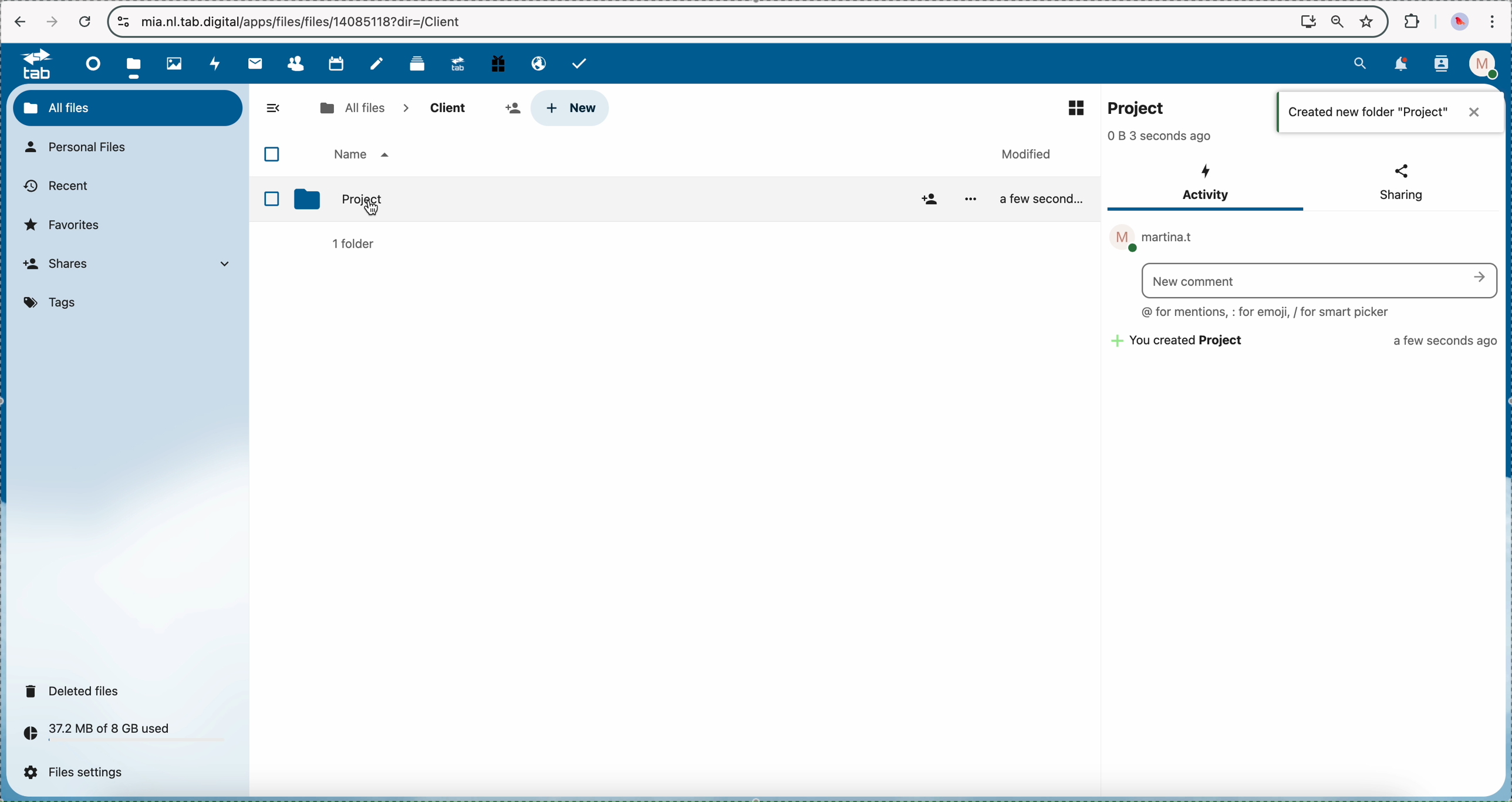  What do you see at coordinates (1491, 21) in the screenshot?
I see `customize and control Google Chrome` at bounding box center [1491, 21].